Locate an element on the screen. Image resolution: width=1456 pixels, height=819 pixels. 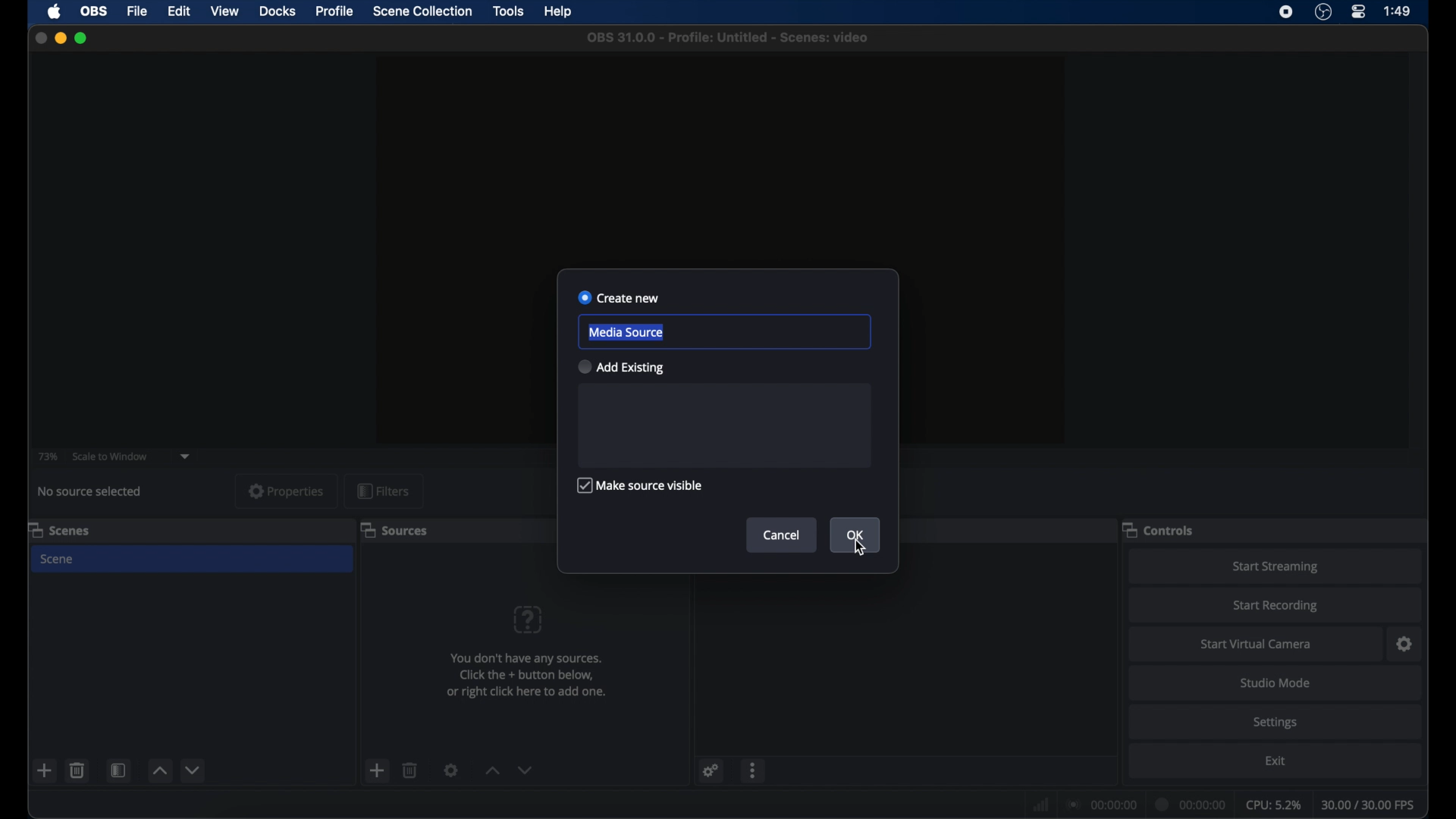
tools is located at coordinates (510, 11).